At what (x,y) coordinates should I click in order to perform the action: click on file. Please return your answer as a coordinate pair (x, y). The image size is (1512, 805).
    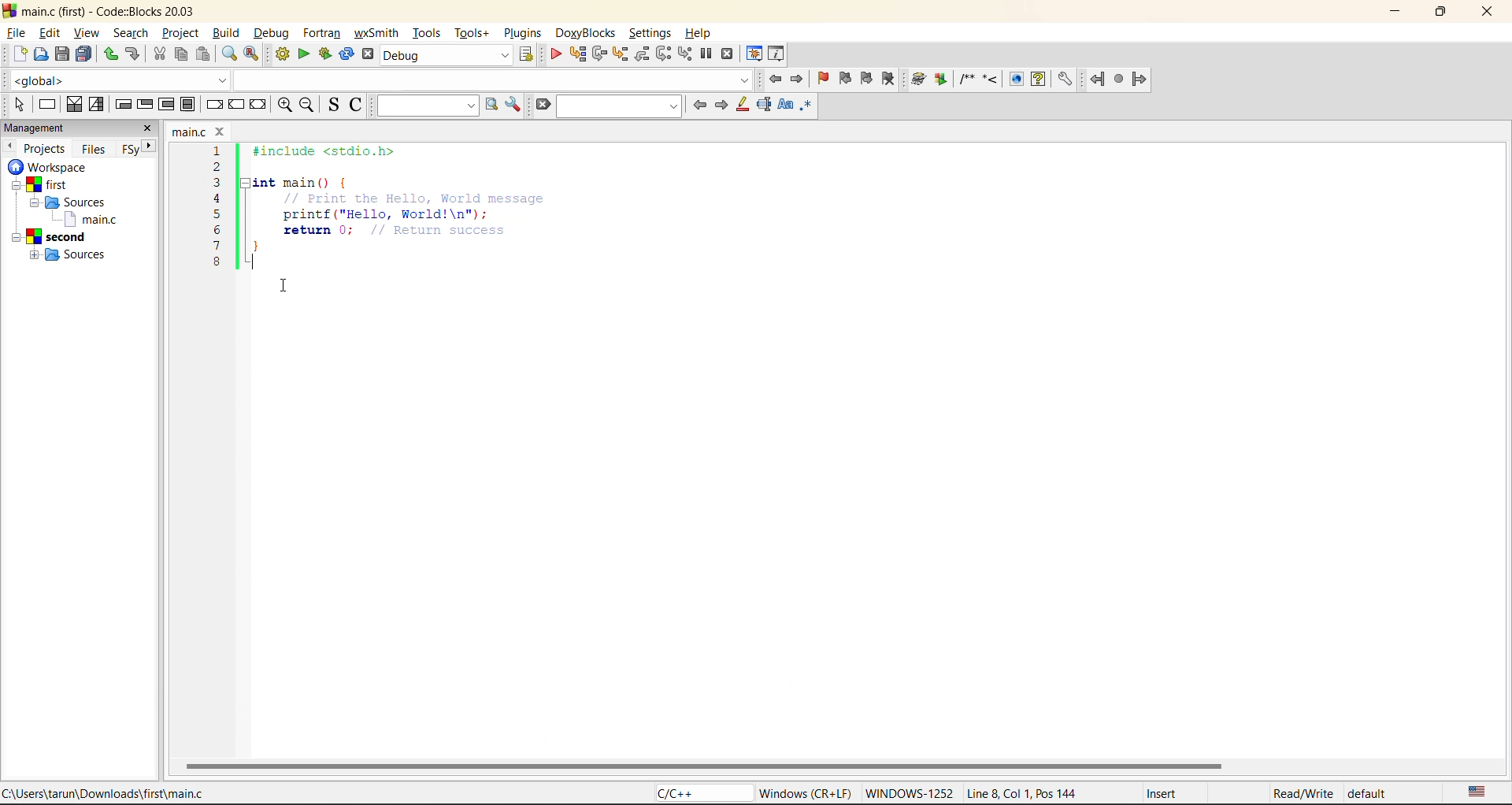
    Looking at the image, I should click on (15, 32).